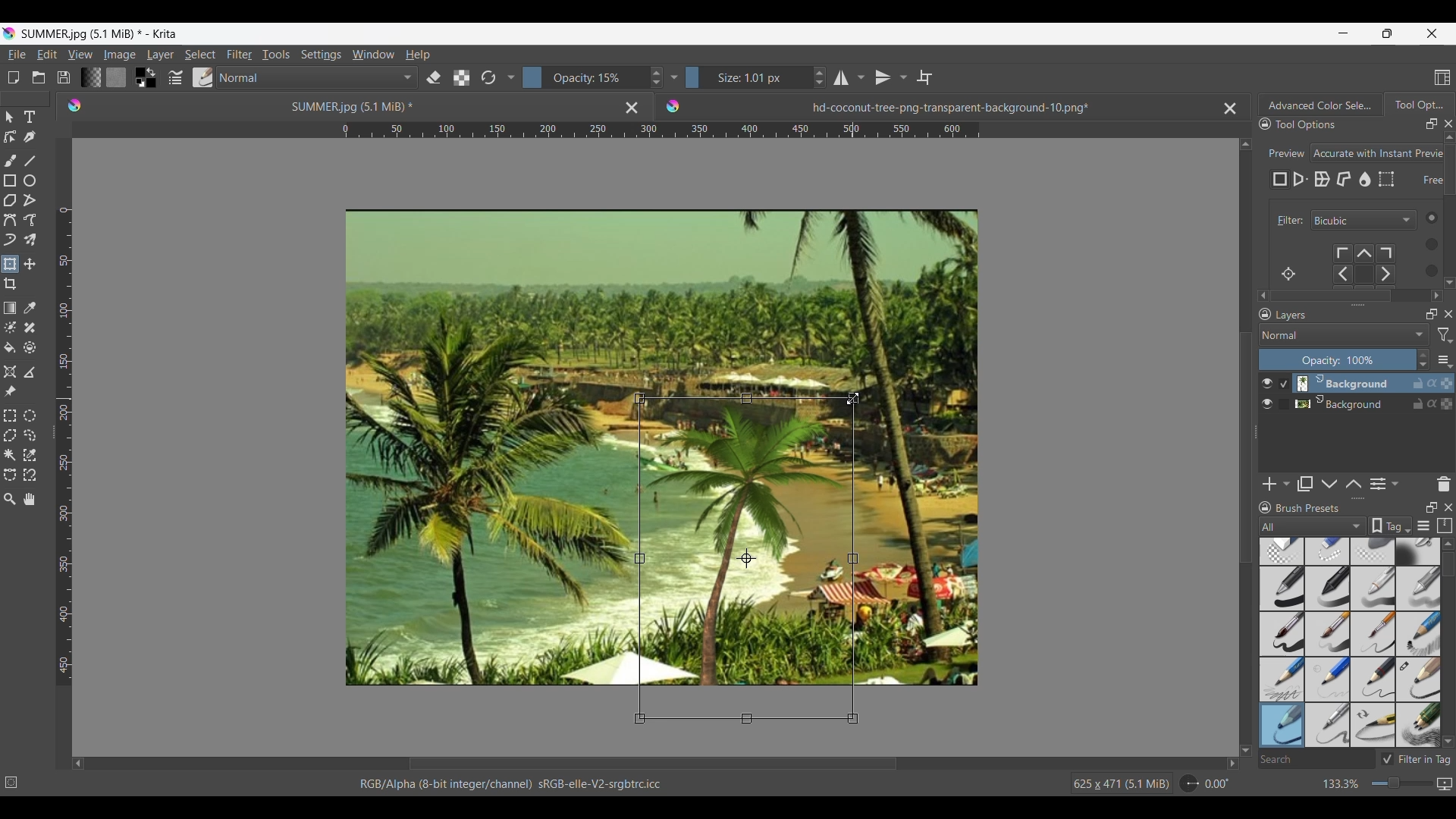  What do you see at coordinates (1386, 179) in the screenshot?
I see `Mesh` at bounding box center [1386, 179].